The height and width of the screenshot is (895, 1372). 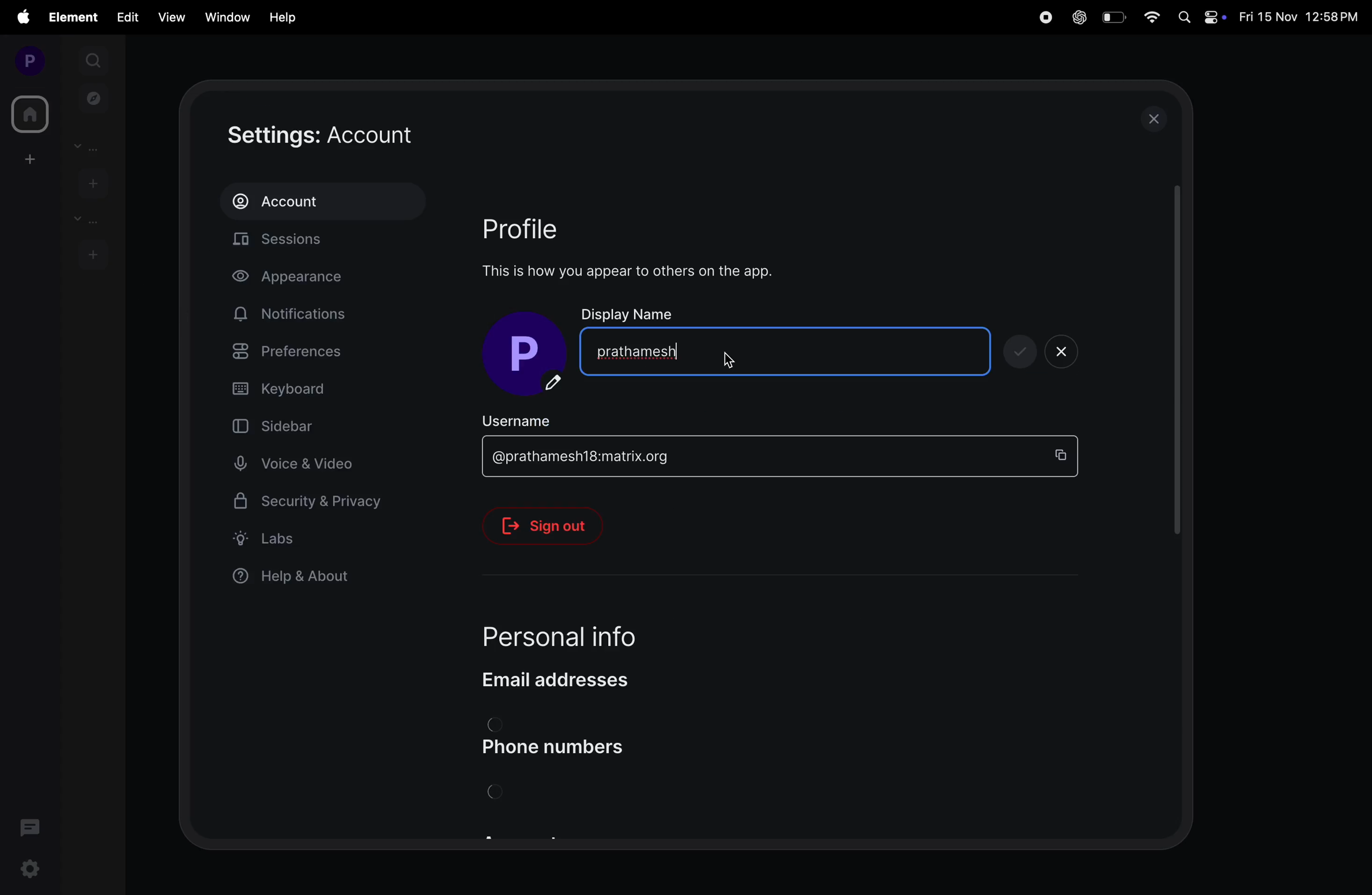 What do you see at coordinates (566, 748) in the screenshot?
I see `phone numbers` at bounding box center [566, 748].